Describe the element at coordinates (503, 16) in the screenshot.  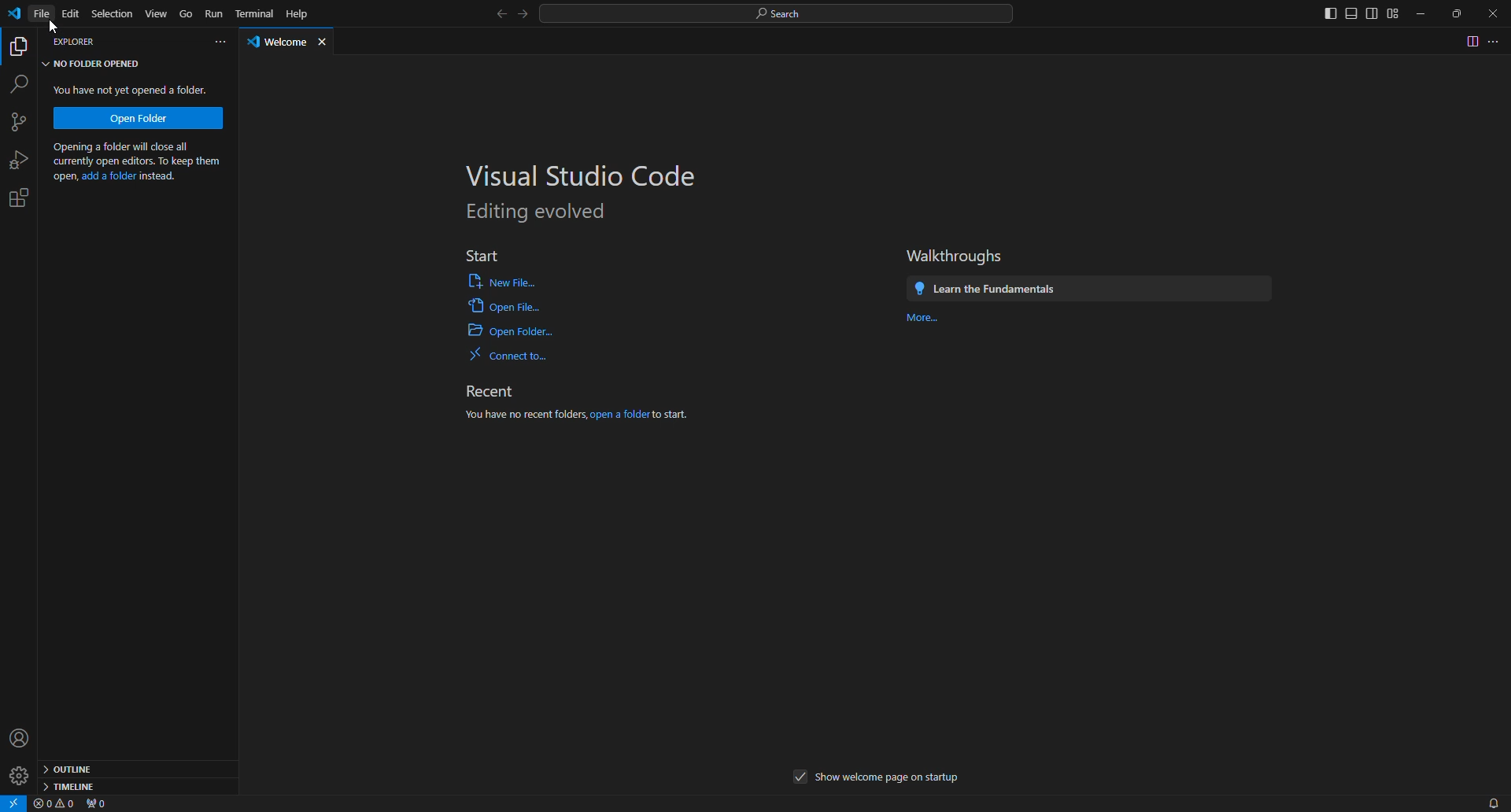
I see `go back` at that location.